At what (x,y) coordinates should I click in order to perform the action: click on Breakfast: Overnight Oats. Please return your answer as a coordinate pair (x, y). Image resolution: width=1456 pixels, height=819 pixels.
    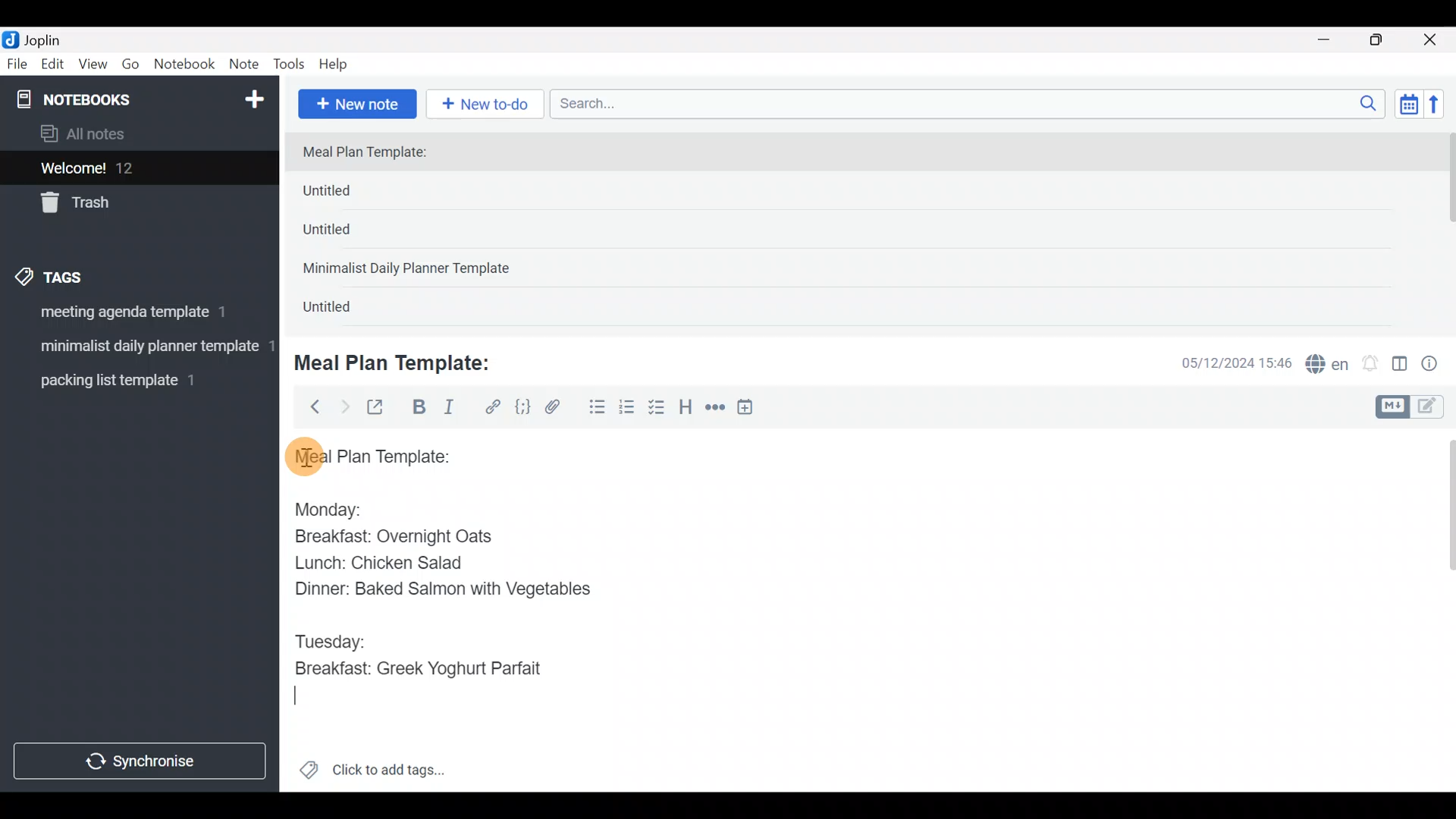
    Looking at the image, I should click on (391, 538).